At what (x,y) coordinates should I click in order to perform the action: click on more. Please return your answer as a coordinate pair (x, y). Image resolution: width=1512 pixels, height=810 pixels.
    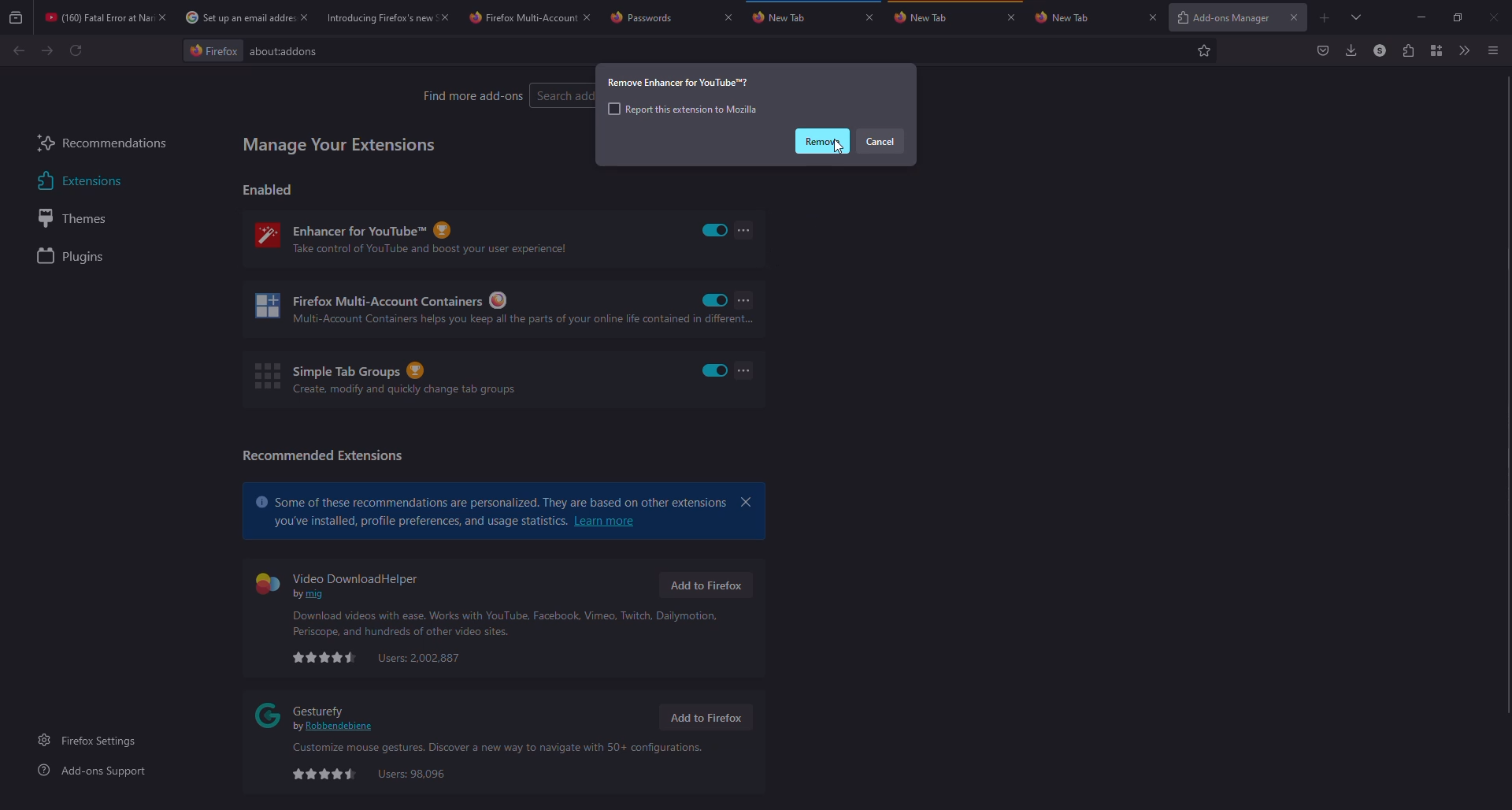
    Looking at the image, I should click on (745, 370).